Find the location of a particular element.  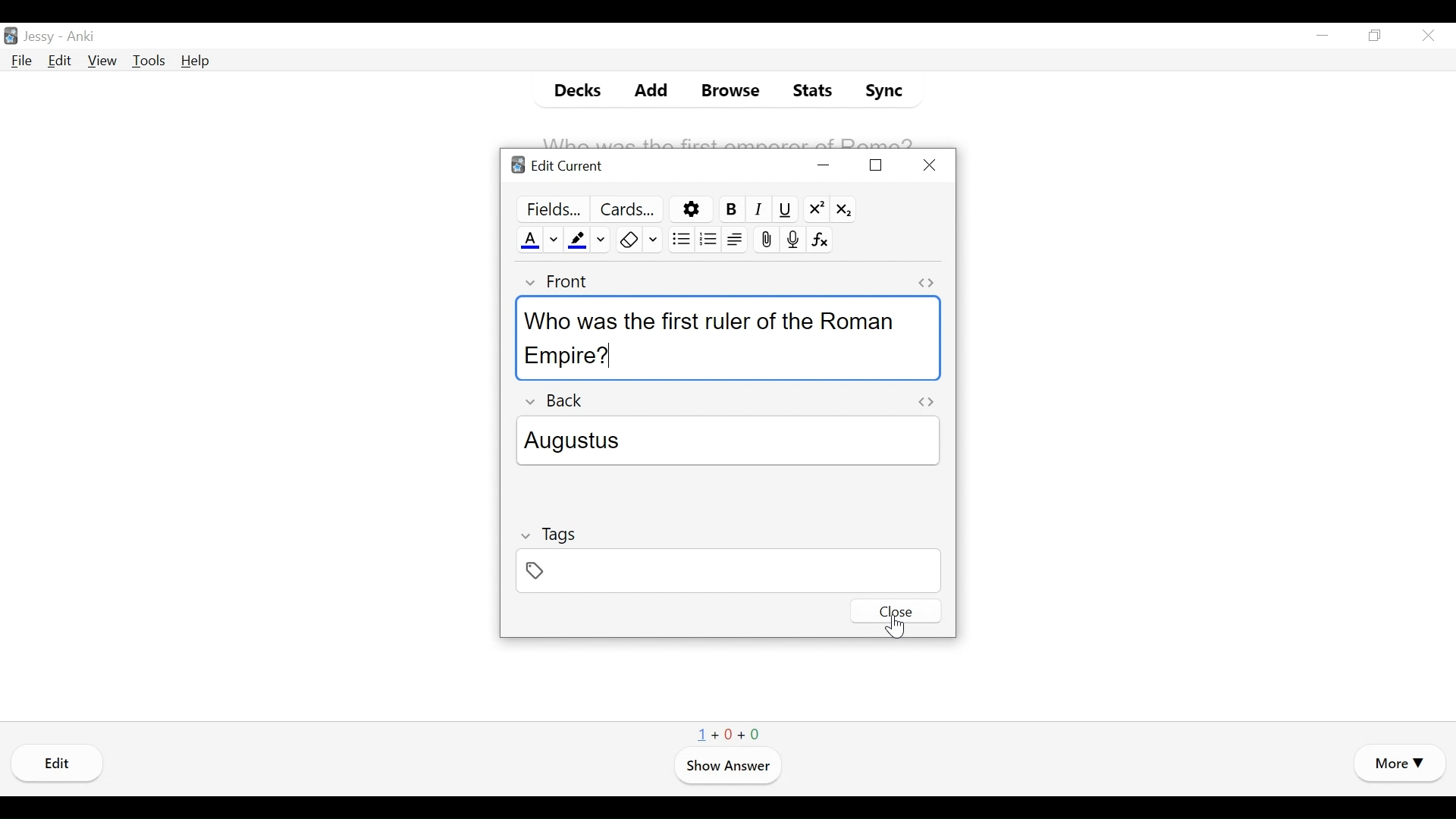

Remove Formatting is located at coordinates (626, 240).